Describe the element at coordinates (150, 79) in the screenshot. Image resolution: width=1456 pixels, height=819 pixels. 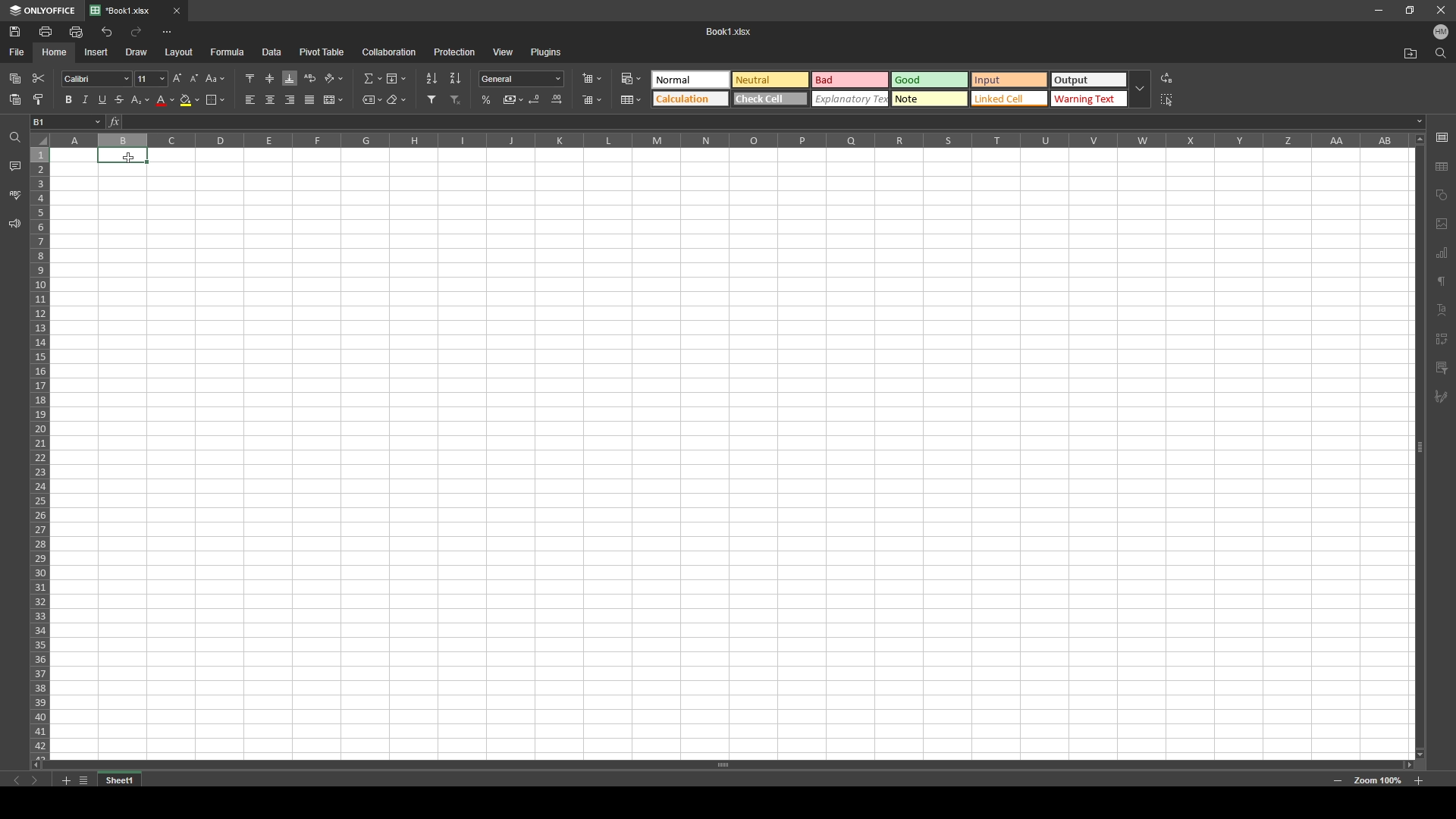
I see `font size` at that location.